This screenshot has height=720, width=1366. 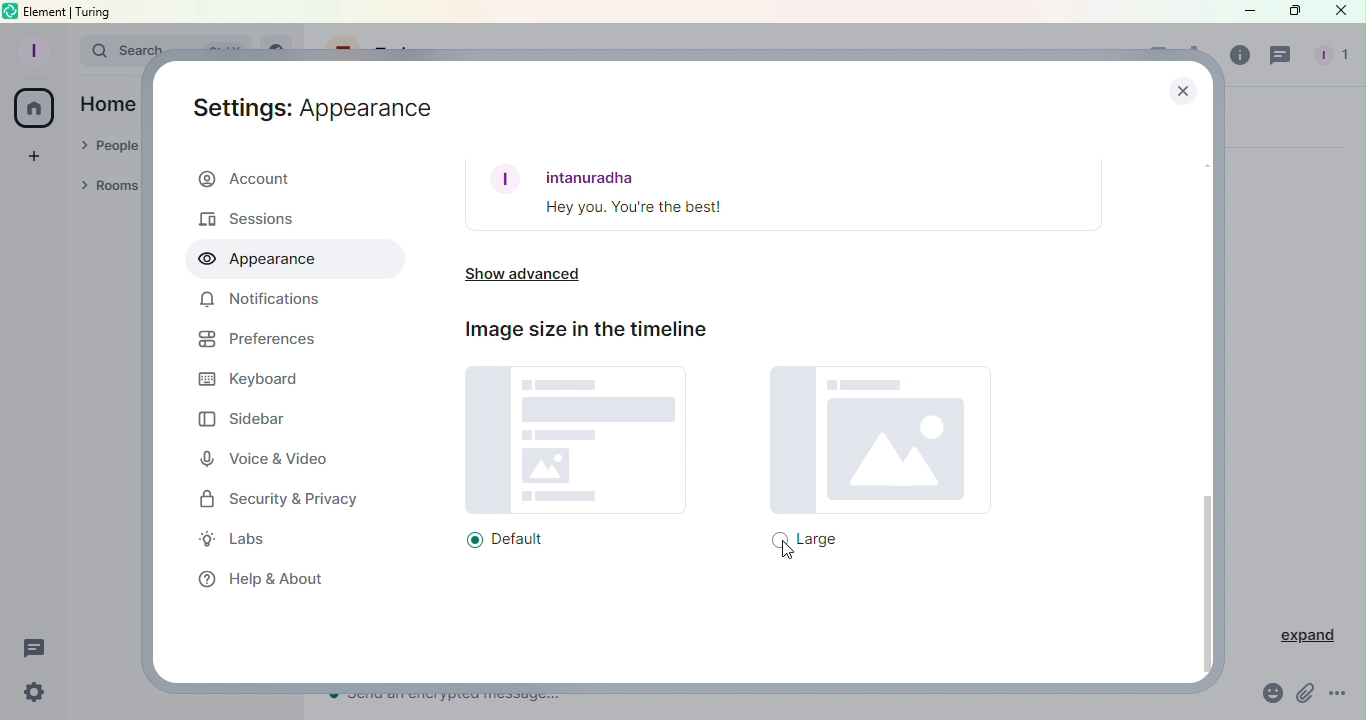 What do you see at coordinates (284, 501) in the screenshot?
I see `Security and privacy` at bounding box center [284, 501].